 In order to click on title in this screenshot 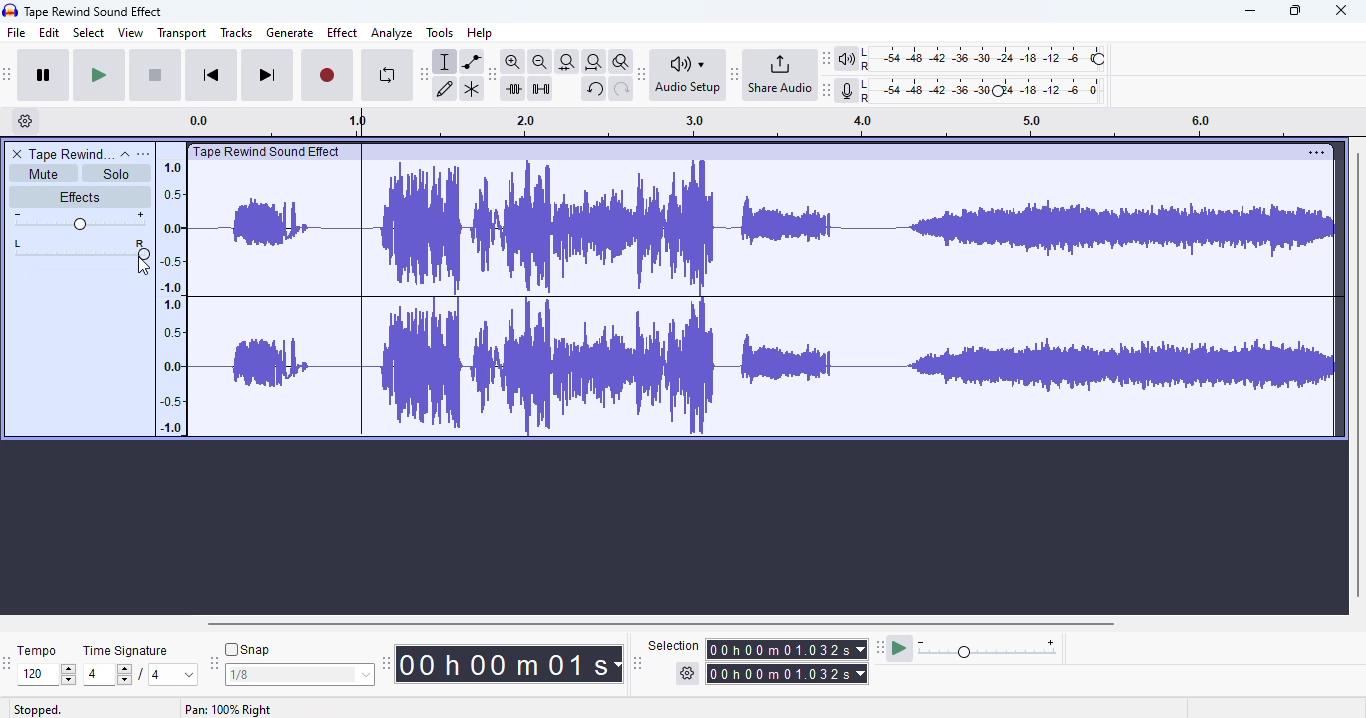, I will do `click(94, 12)`.